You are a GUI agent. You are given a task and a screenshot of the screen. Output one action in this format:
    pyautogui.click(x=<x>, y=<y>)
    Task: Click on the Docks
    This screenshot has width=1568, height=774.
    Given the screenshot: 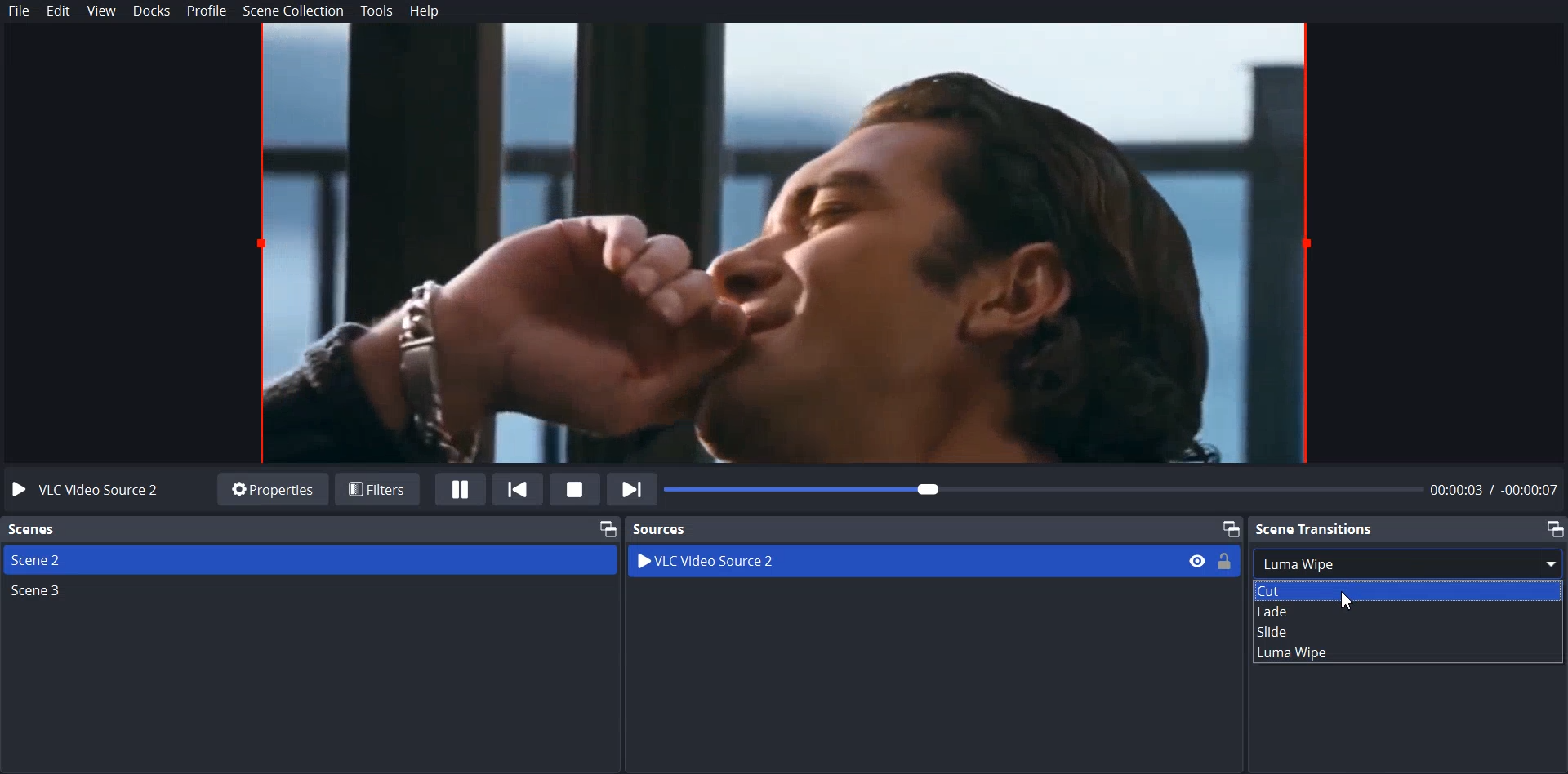 What is the action you would take?
    pyautogui.click(x=153, y=11)
    